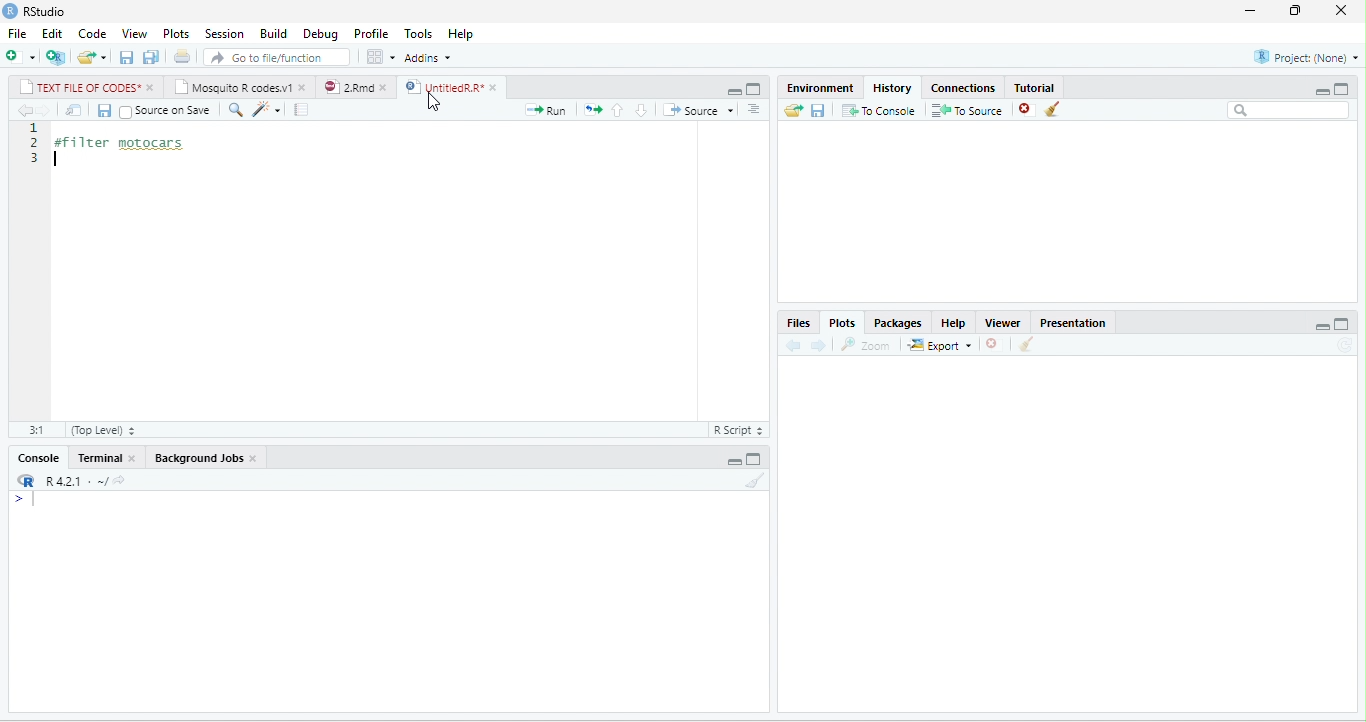 Image resolution: width=1366 pixels, height=722 pixels. Describe the element at coordinates (1307, 57) in the screenshot. I see `Project(None)` at that location.